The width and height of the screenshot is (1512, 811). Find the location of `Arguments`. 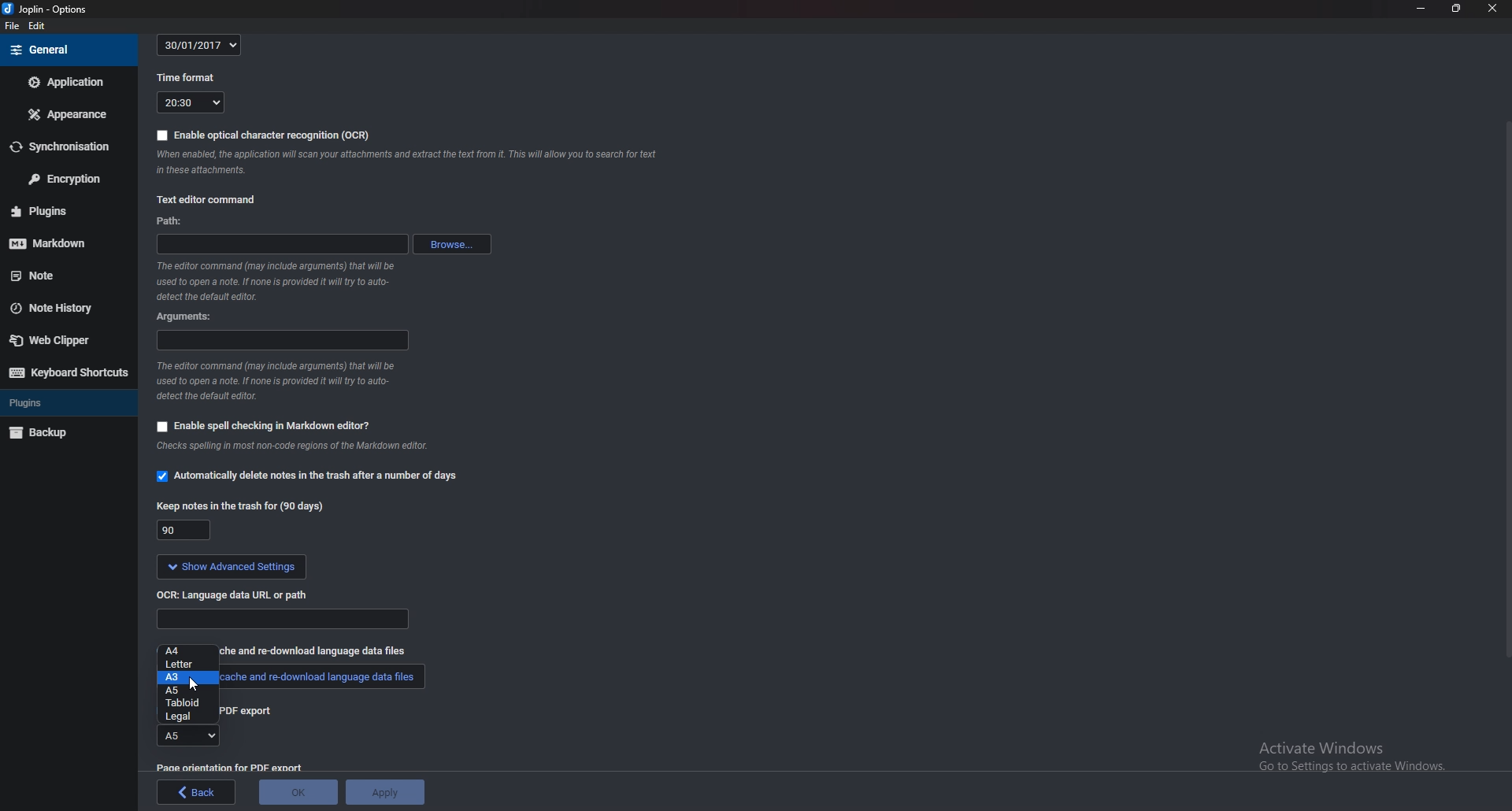

Arguments is located at coordinates (185, 317).